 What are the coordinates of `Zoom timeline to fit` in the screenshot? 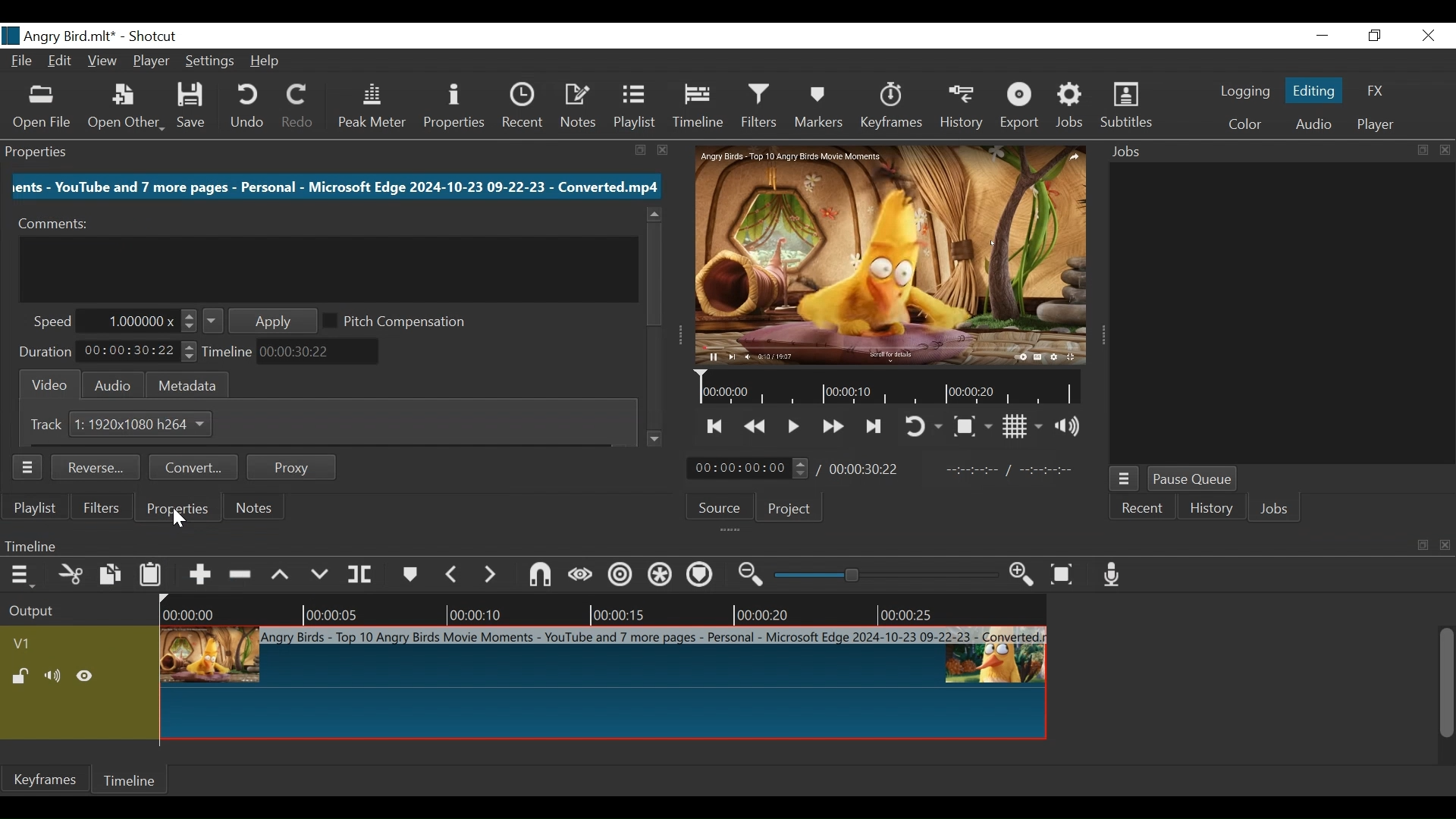 It's located at (1065, 575).